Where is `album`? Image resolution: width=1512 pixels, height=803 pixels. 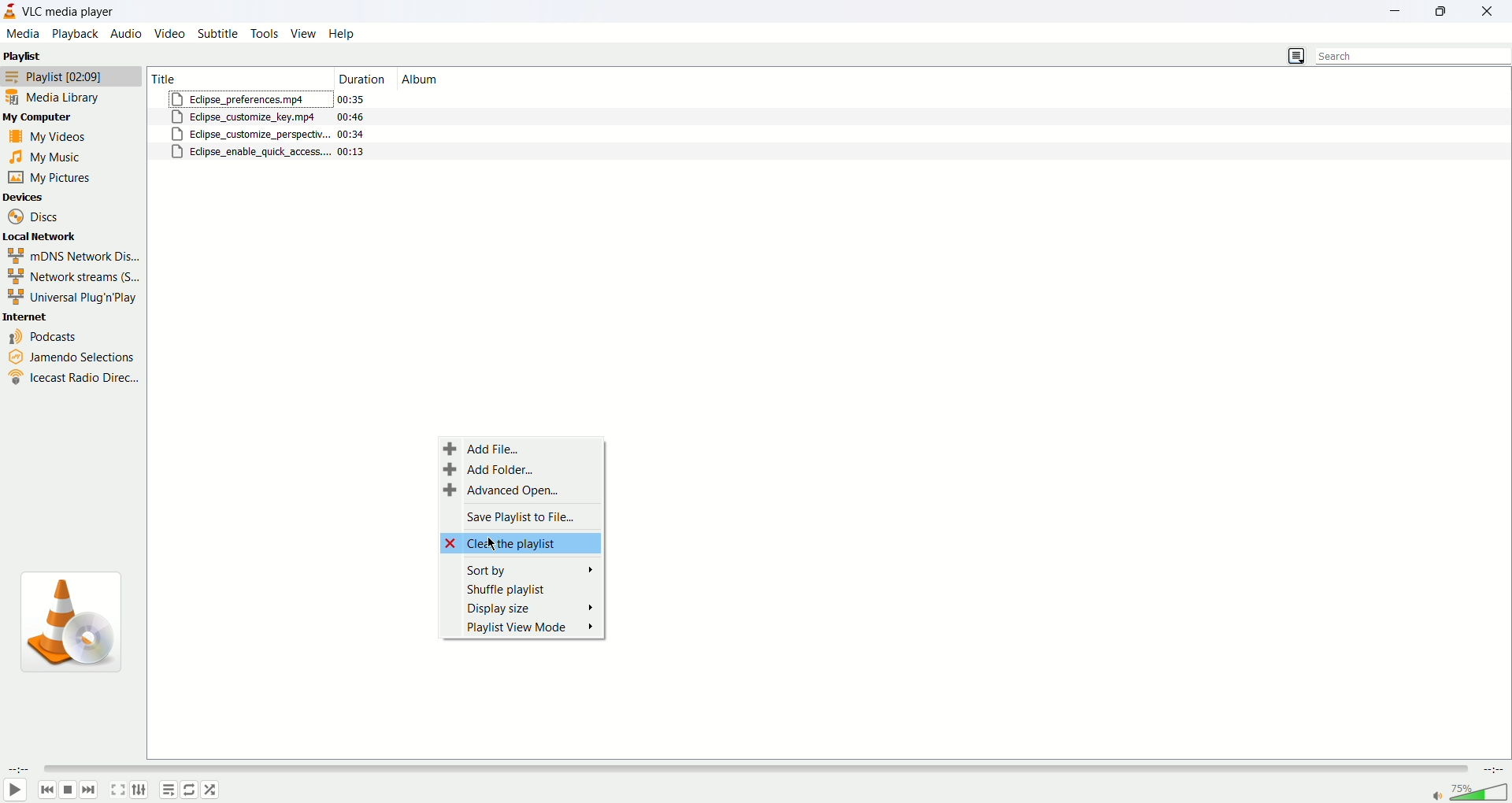 album is located at coordinates (426, 77).